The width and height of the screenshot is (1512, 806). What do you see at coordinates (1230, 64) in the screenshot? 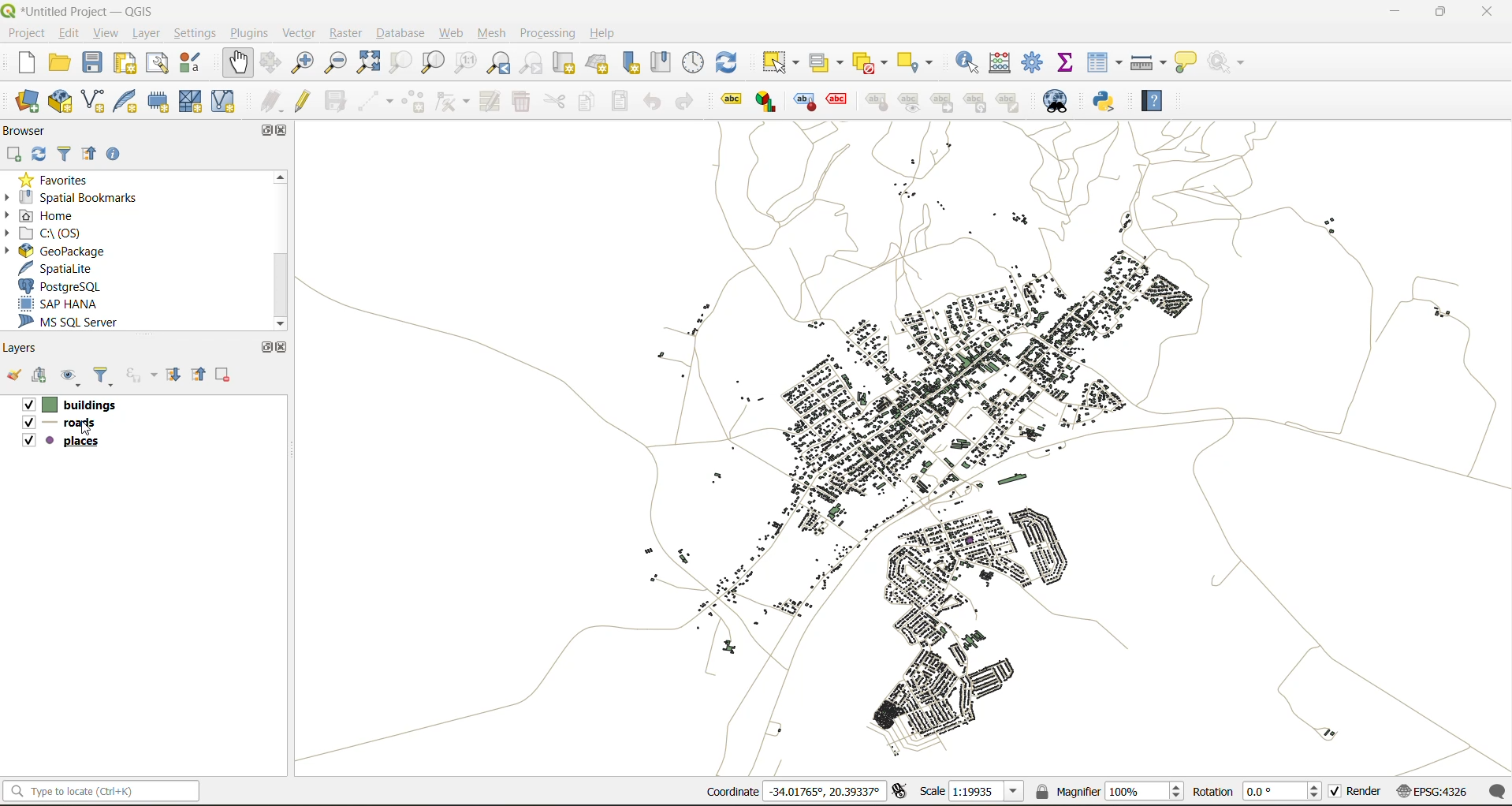
I see `no action` at bounding box center [1230, 64].